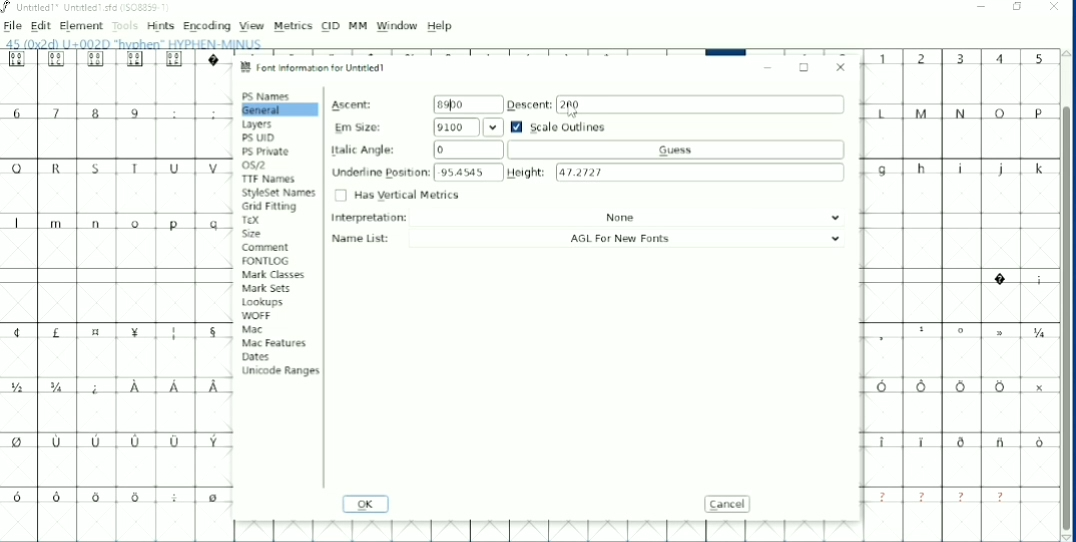 The image size is (1076, 542). I want to click on Minimize, so click(768, 68).